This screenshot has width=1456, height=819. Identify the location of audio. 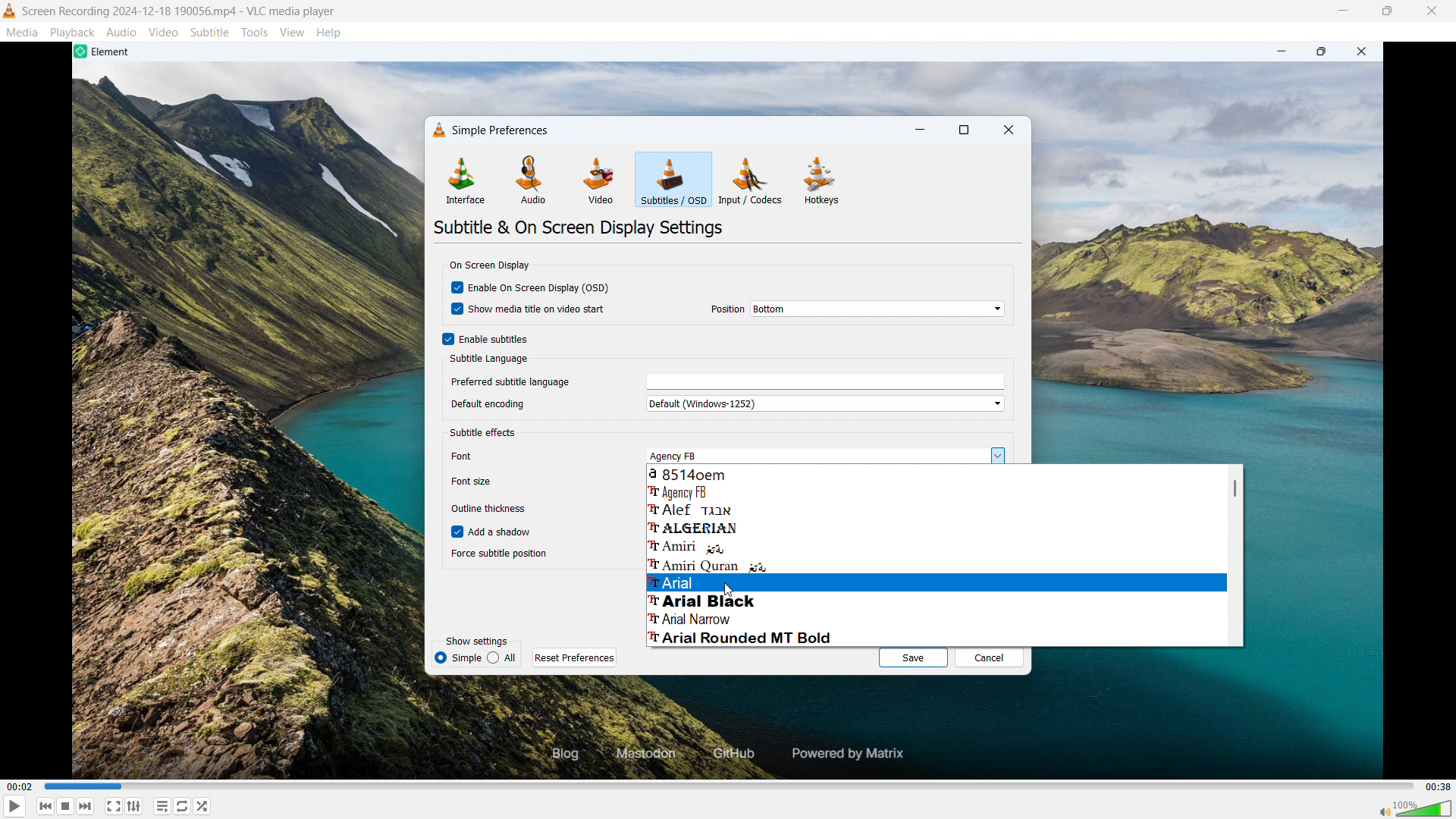
(122, 31).